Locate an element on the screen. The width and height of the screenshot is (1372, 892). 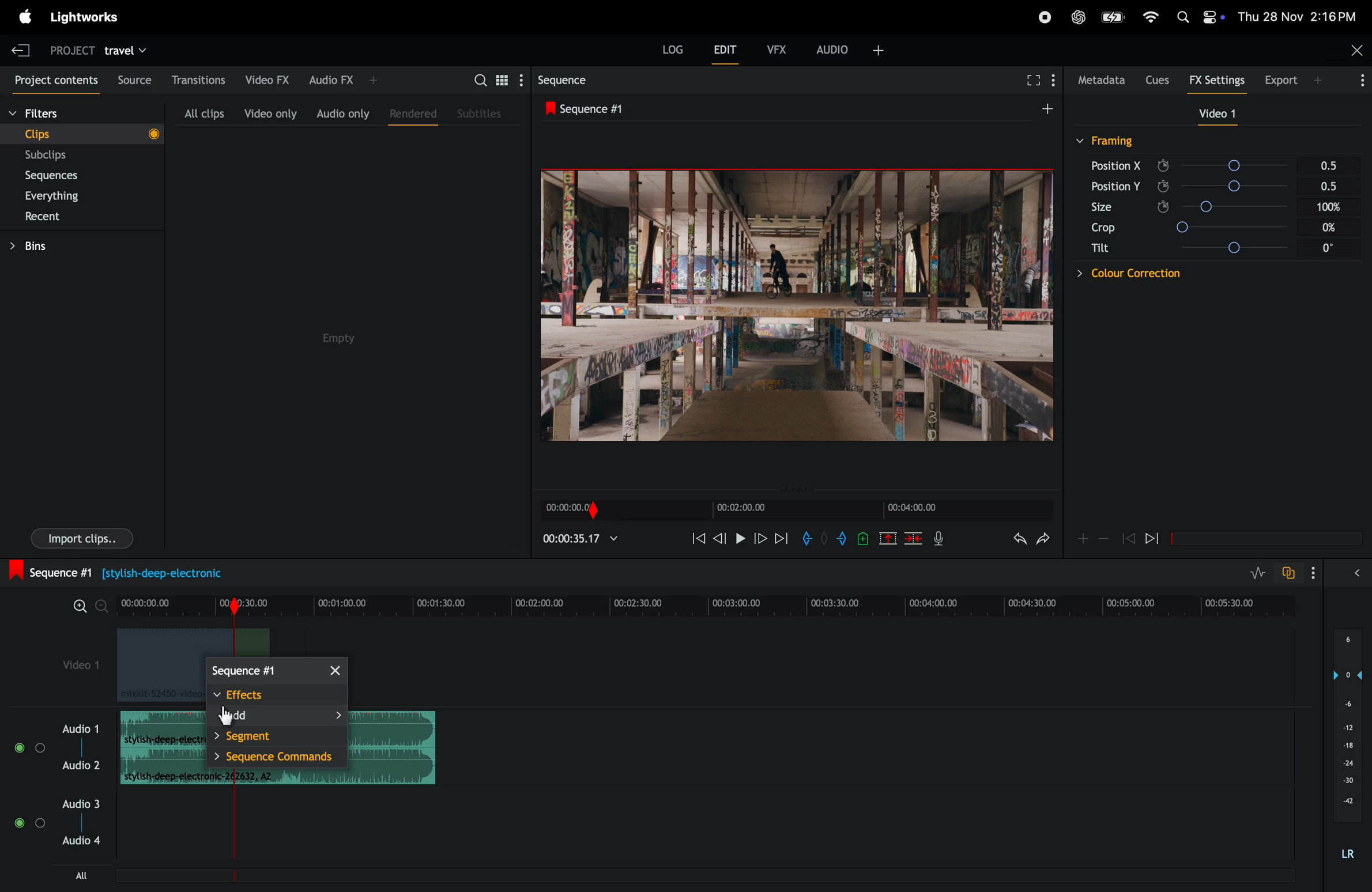
time frame is located at coordinates (701, 607).